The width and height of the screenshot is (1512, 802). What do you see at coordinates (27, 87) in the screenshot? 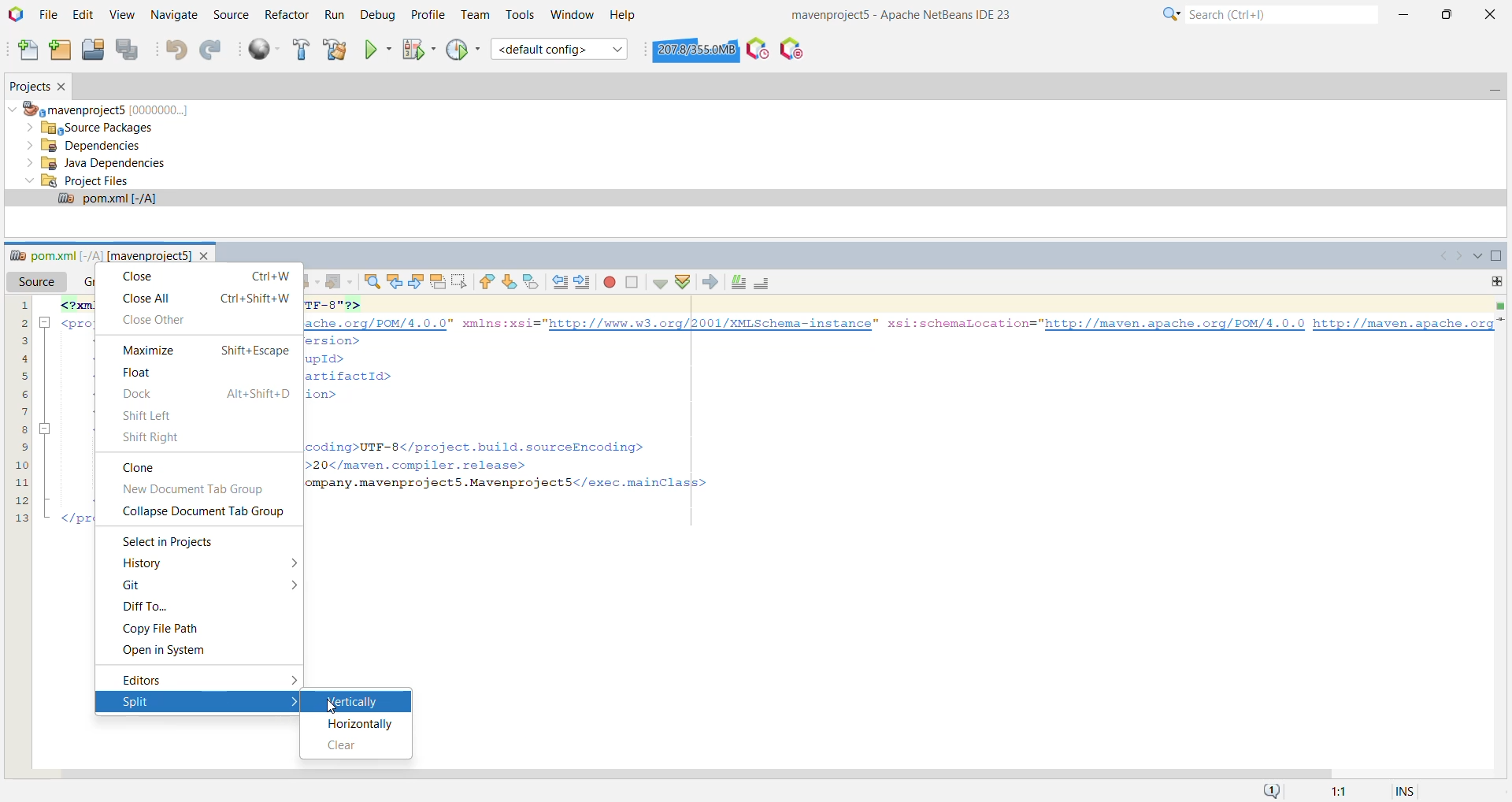
I see `Projects Window` at bounding box center [27, 87].